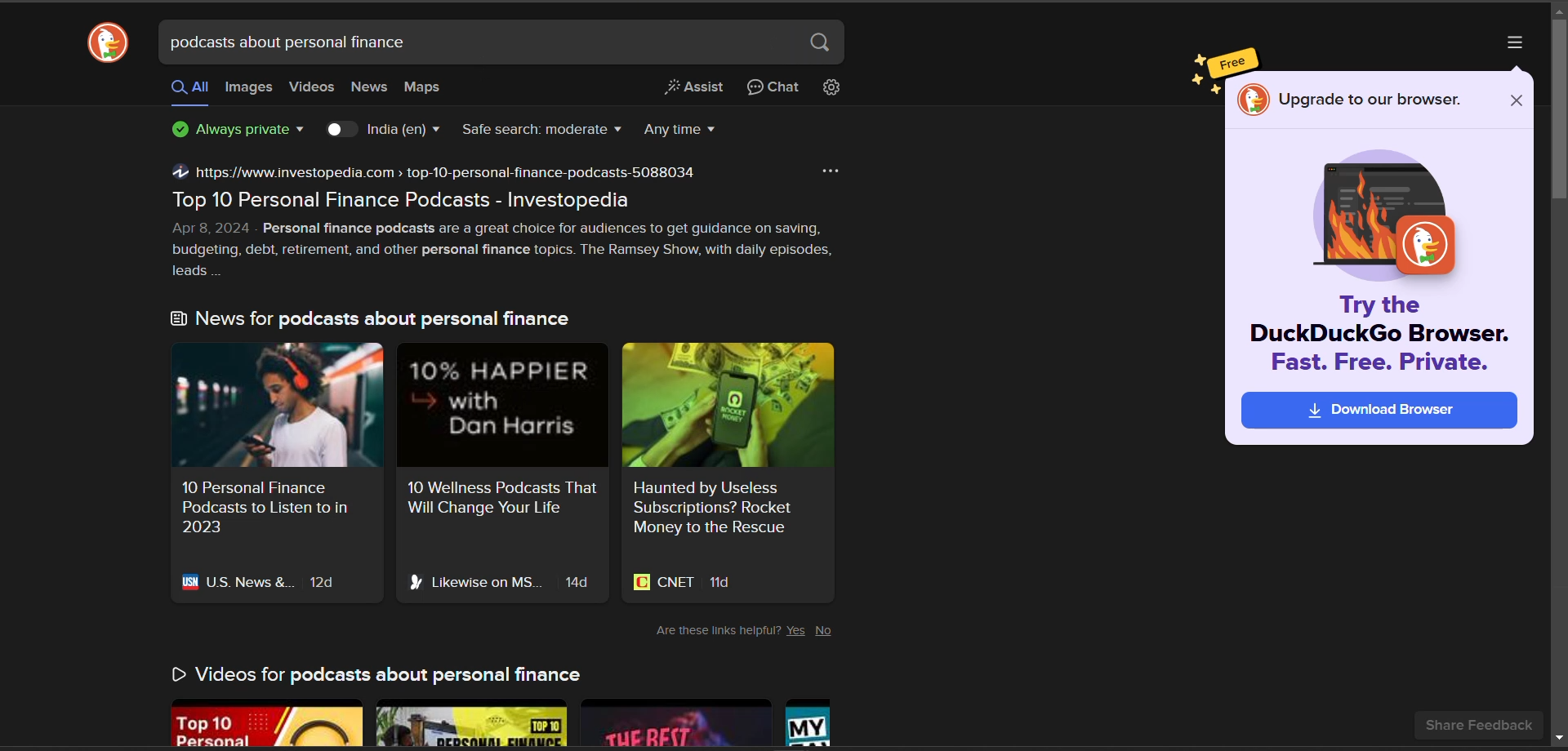 Image resolution: width=1568 pixels, height=751 pixels. What do you see at coordinates (1383, 216) in the screenshot?
I see `image` at bounding box center [1383, 216].